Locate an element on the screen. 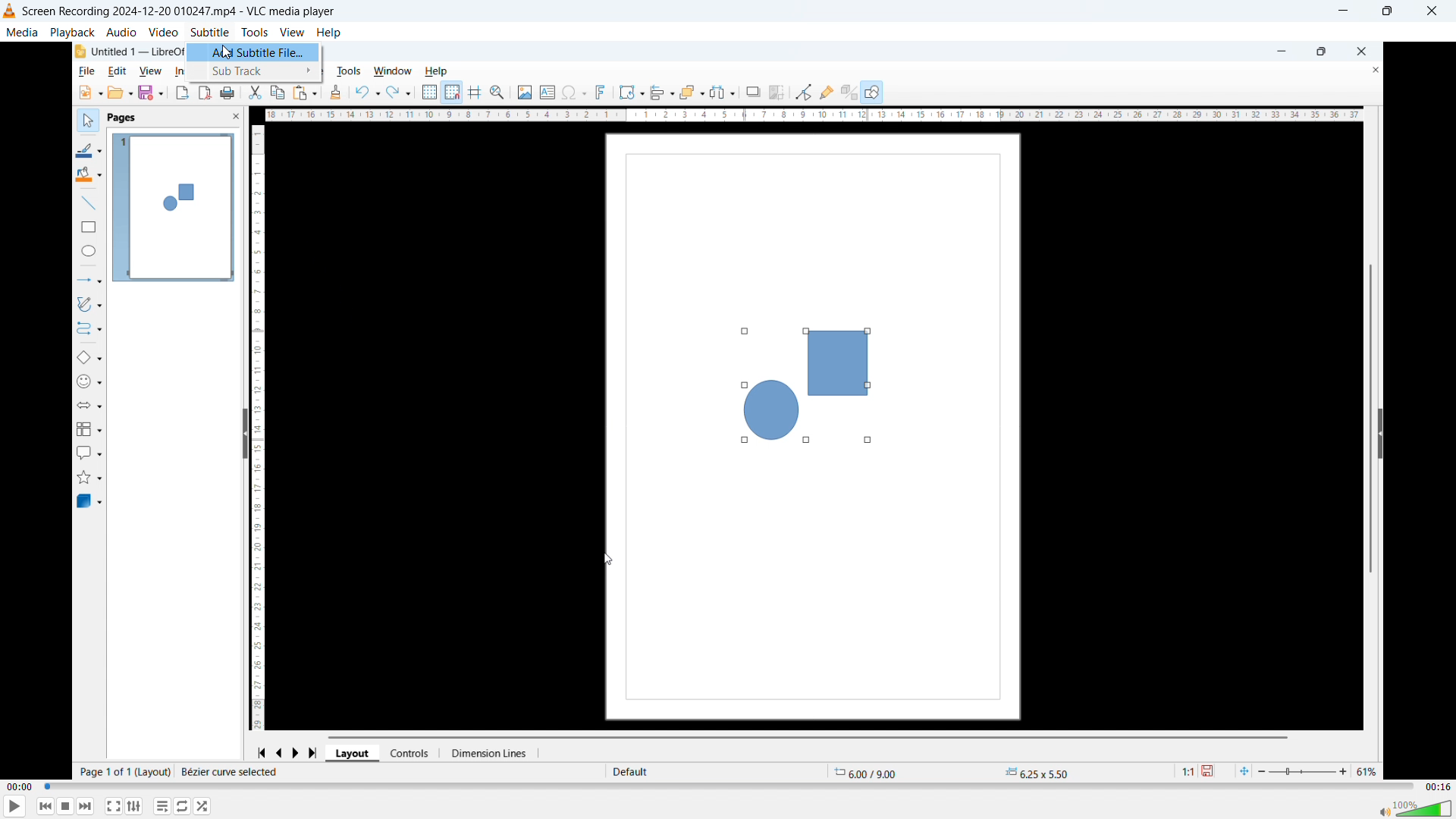  object position- 6.25x5.50 is located at coordinates (1036, 773).